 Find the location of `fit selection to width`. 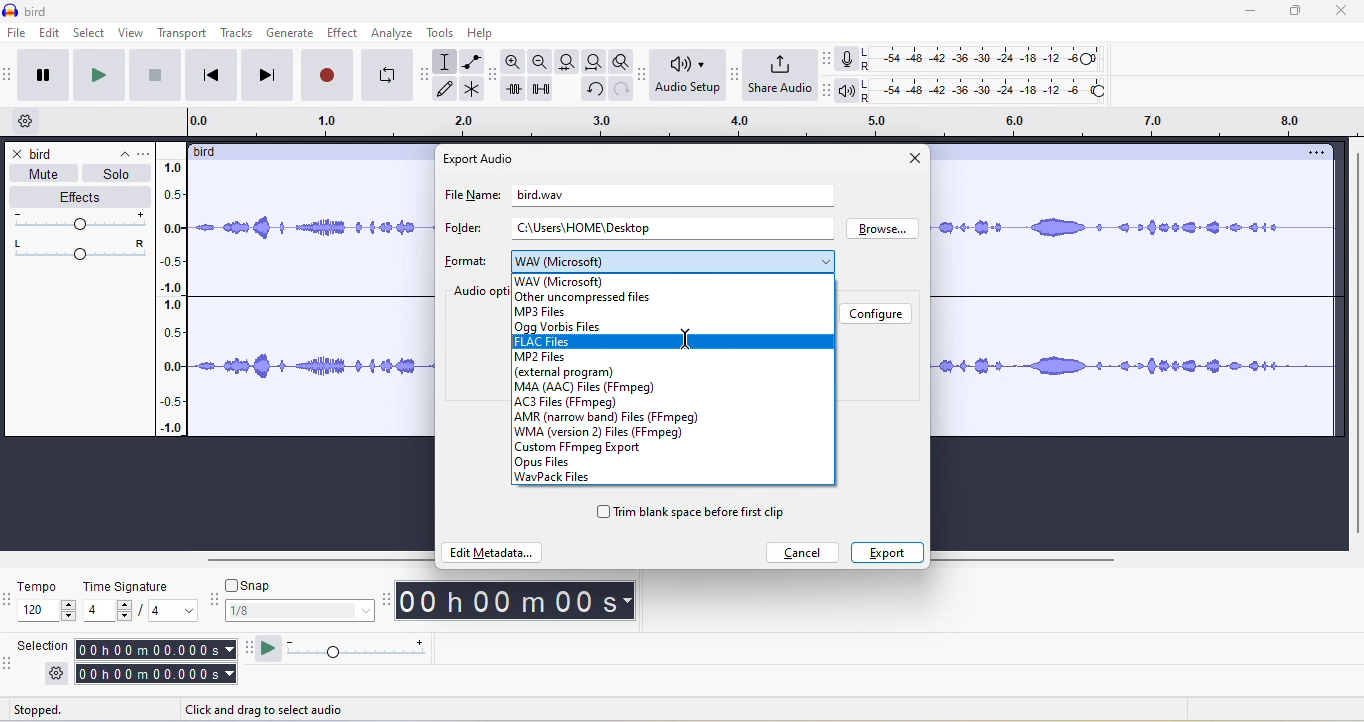

fit selection to width is located at coordinates (565, 61).